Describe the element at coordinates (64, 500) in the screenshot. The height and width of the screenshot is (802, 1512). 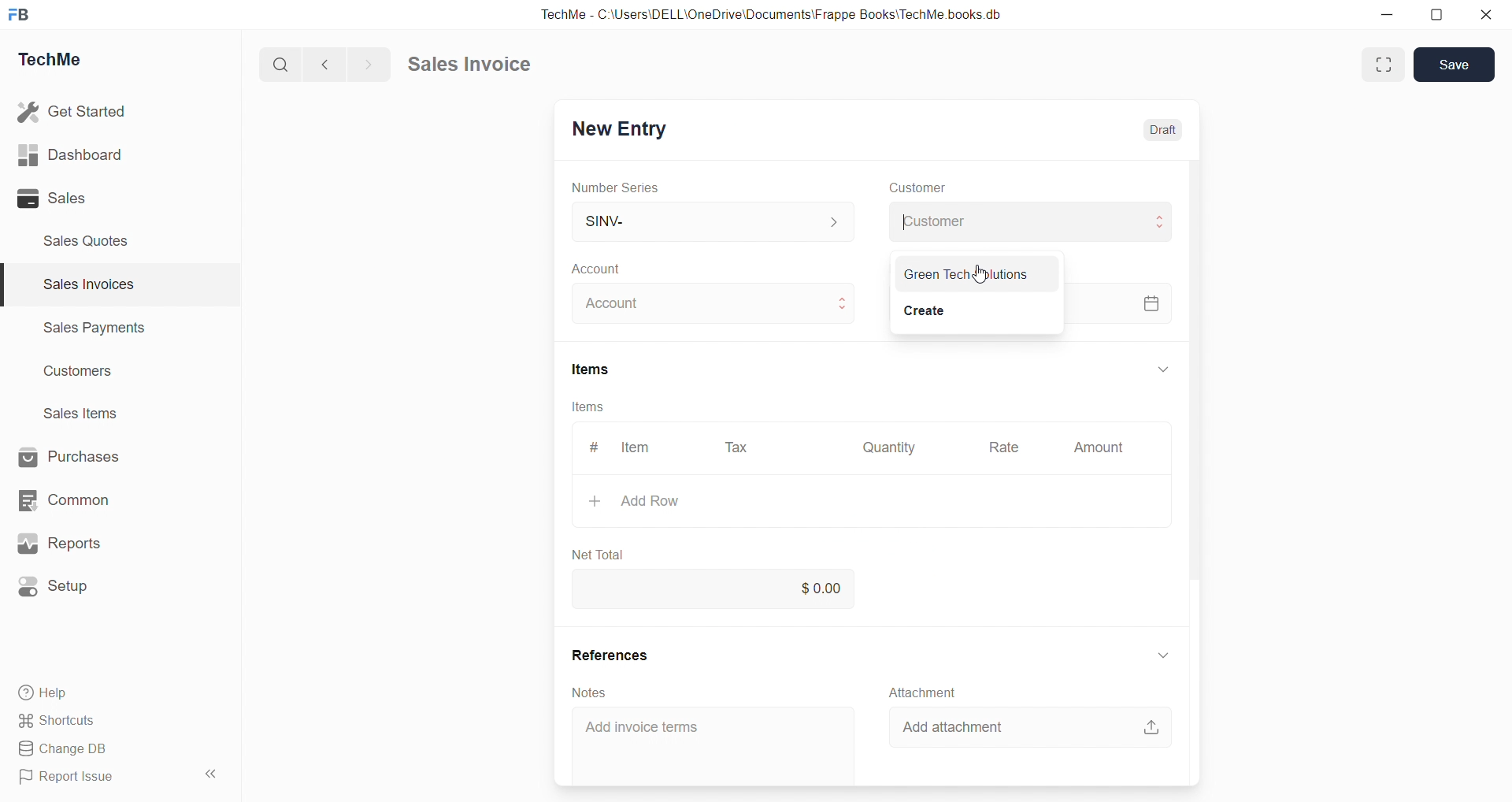
I see `Common` at that location.